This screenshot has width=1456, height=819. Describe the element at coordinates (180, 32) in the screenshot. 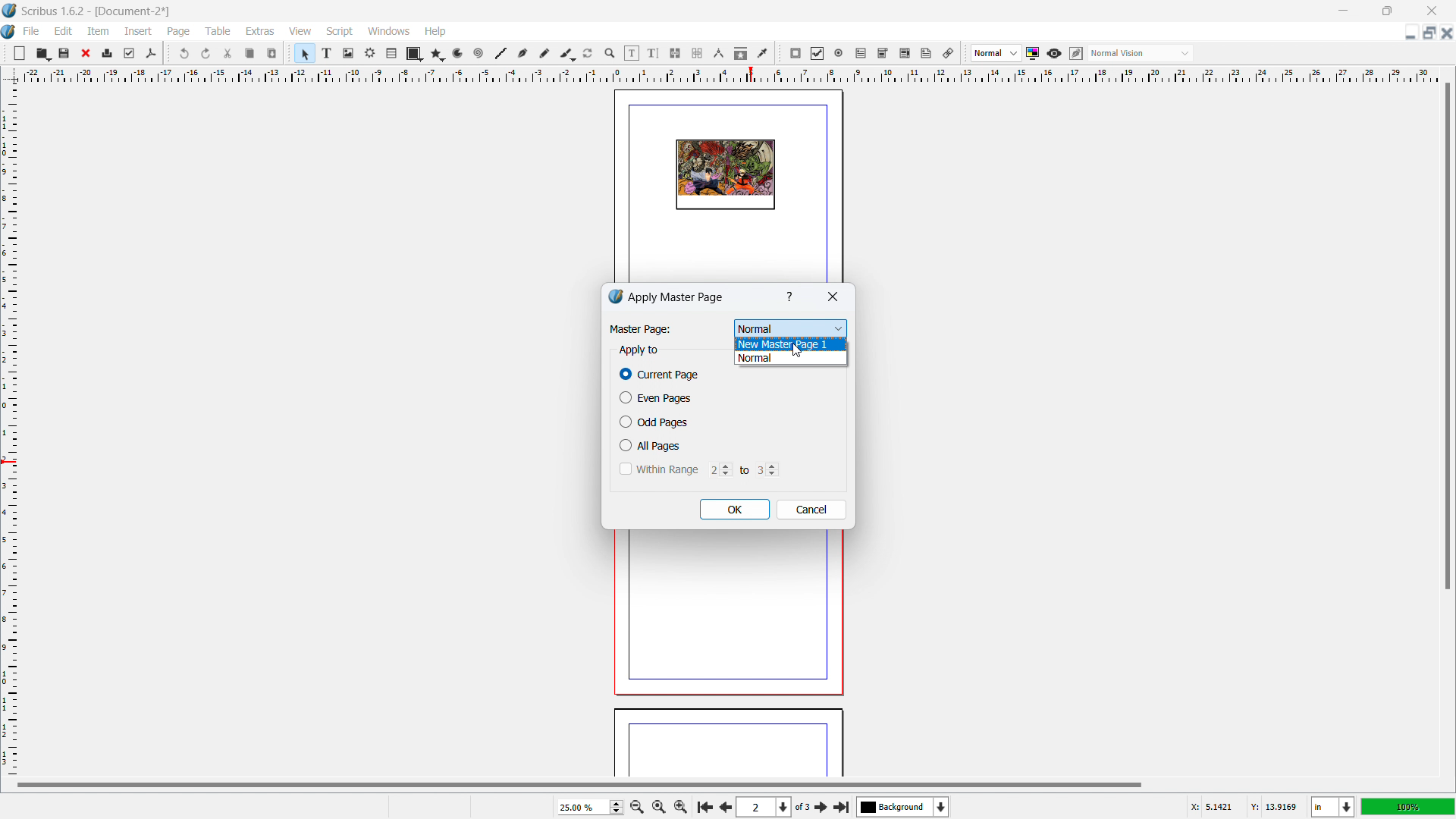

I see `page` at that location.